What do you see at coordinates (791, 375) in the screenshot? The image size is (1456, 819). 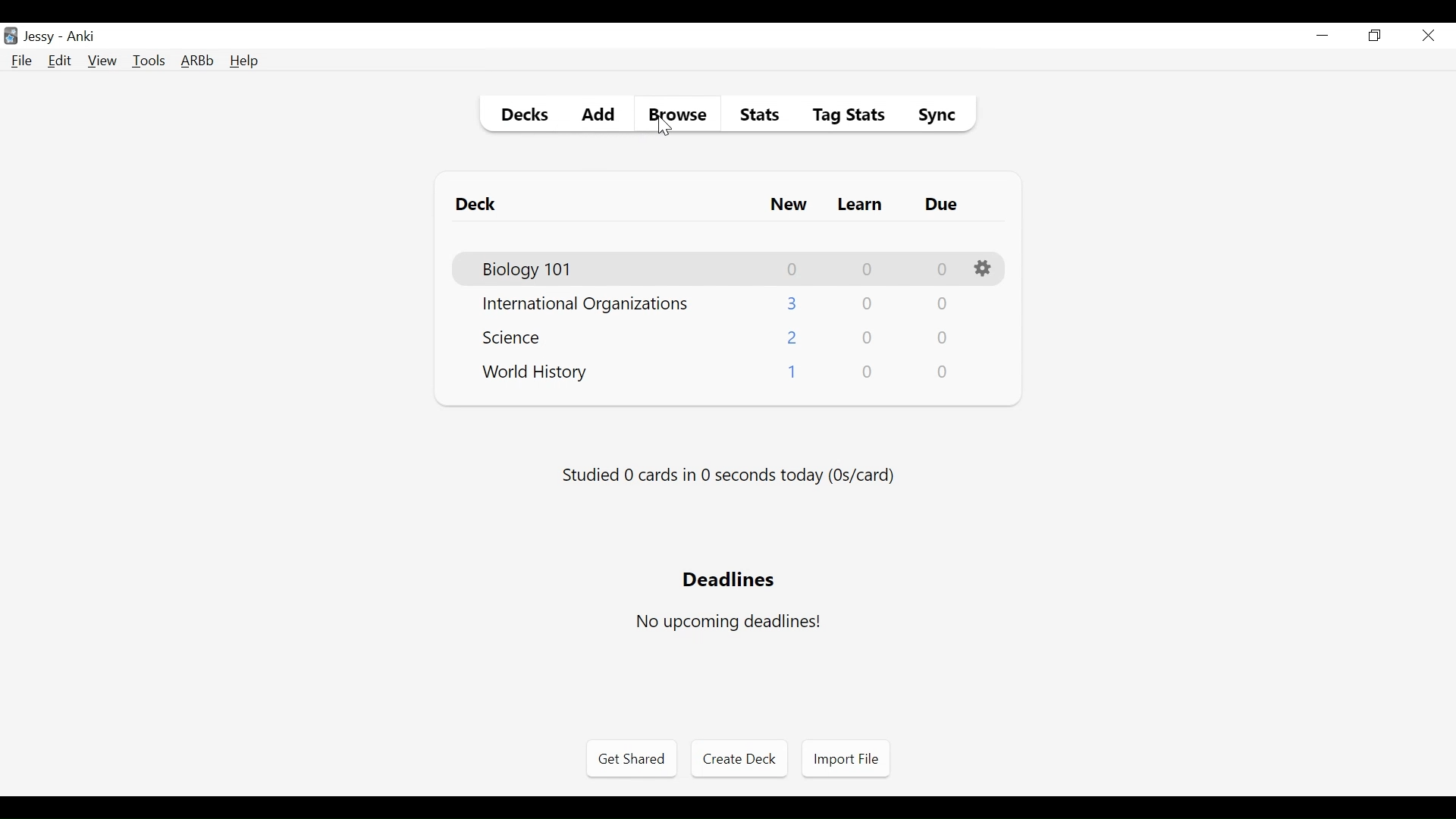 I see `New Card Count` at bounding box center [791, 375].